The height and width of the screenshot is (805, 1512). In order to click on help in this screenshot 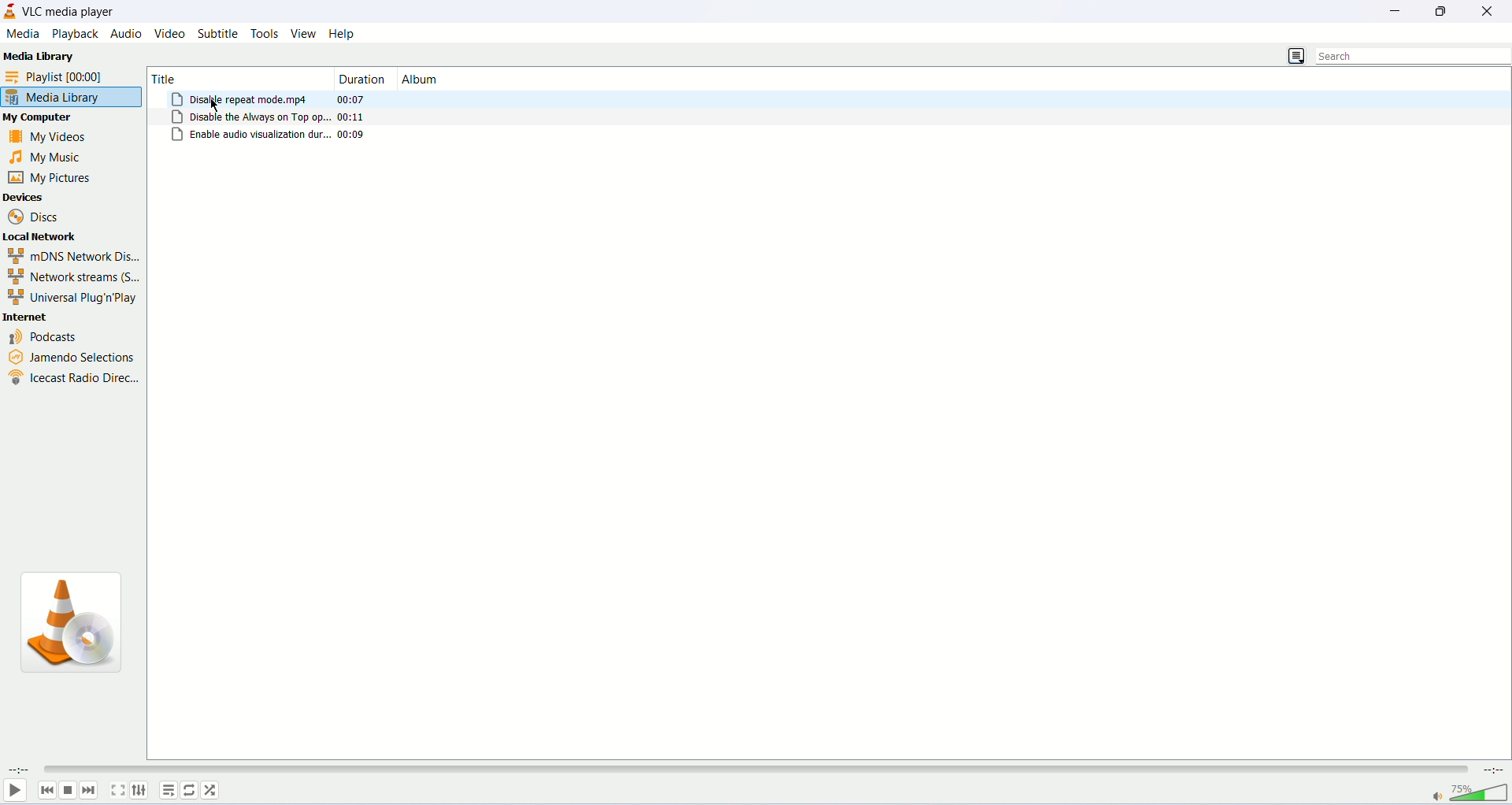, I will do `click(343, 34)`.